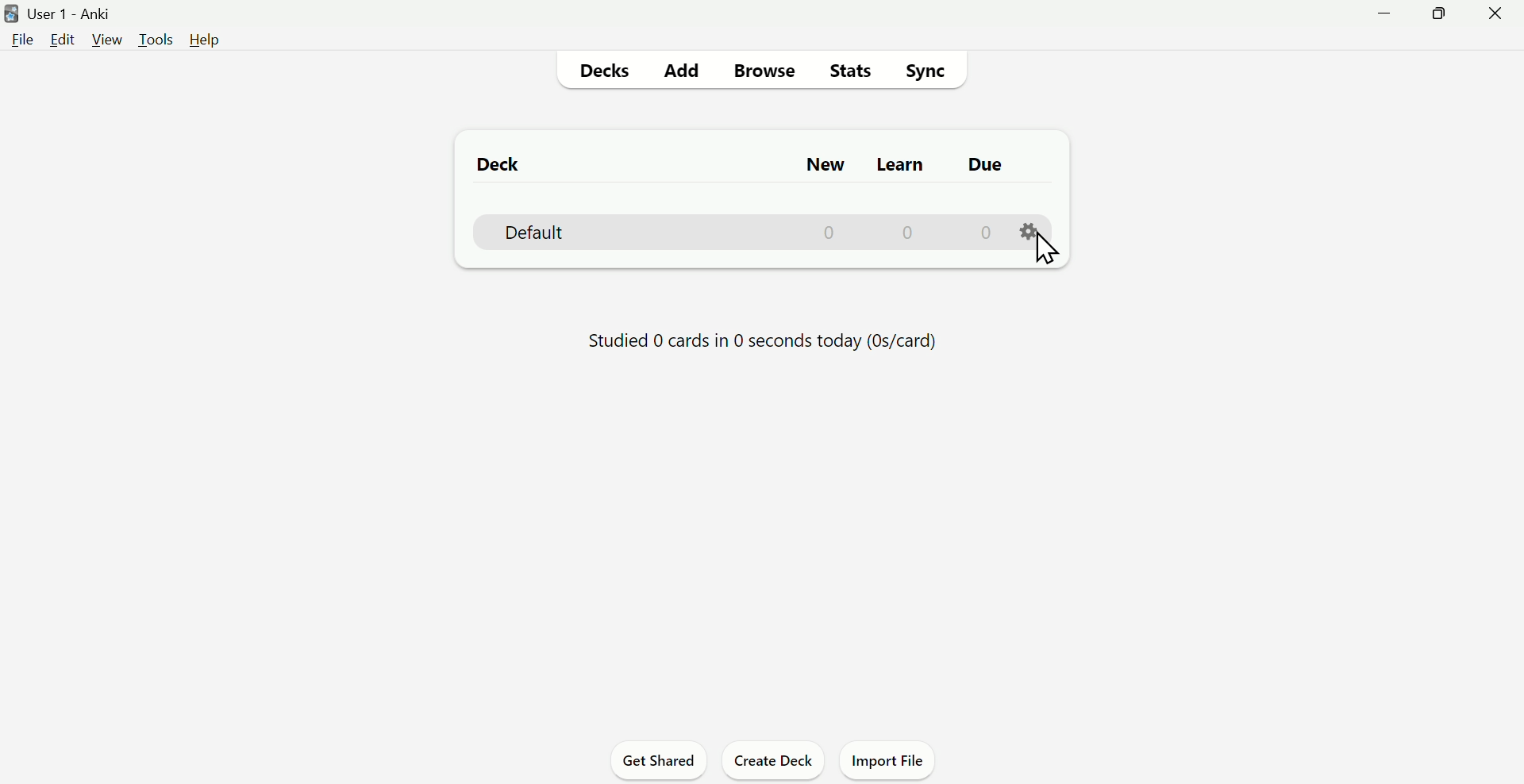 The image size is (1524, 784). What do you see at coordinates (817, 168) in the screenshot?
I see `New` at bounding box center [817, 168].